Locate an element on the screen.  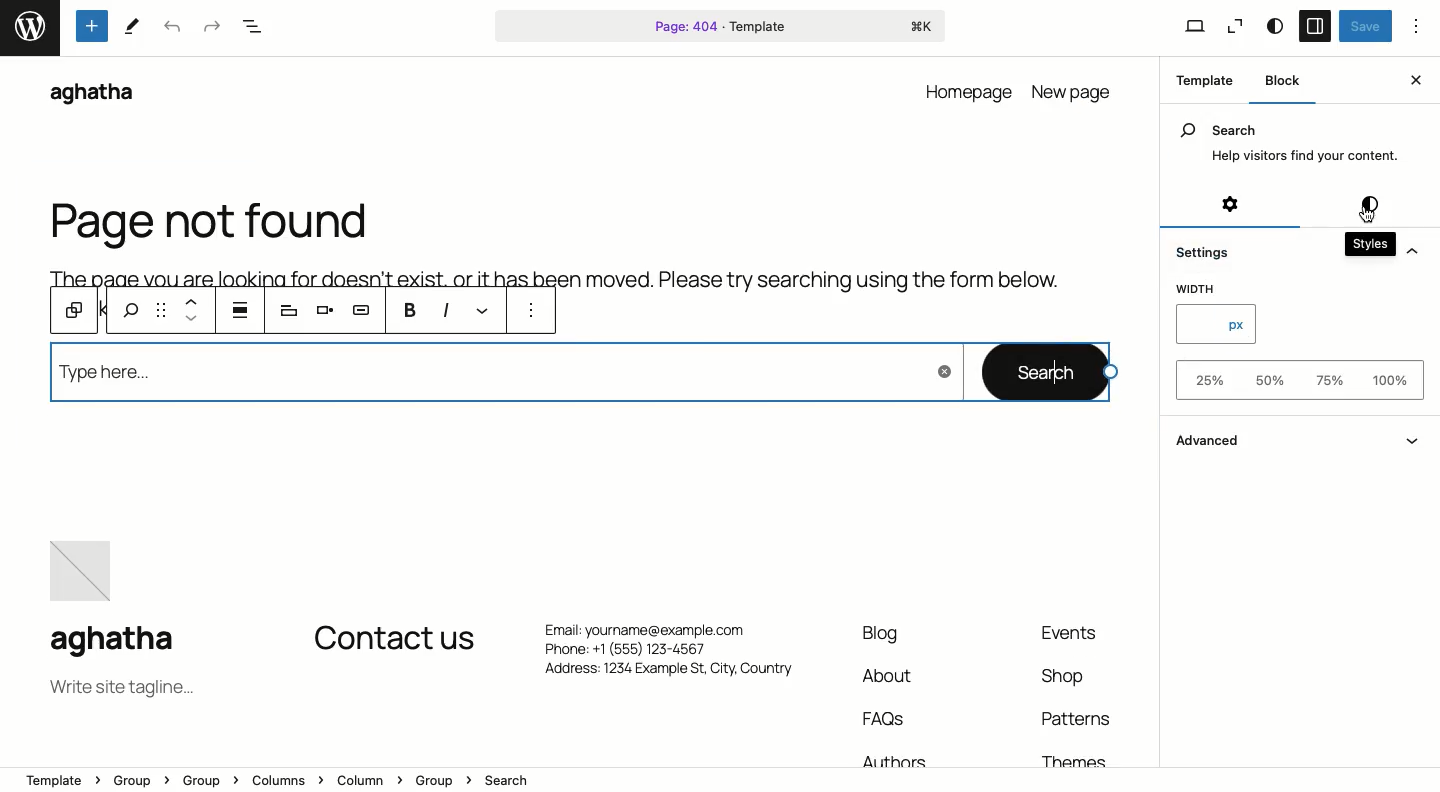
Settings is located at coordinates (1208, 252).